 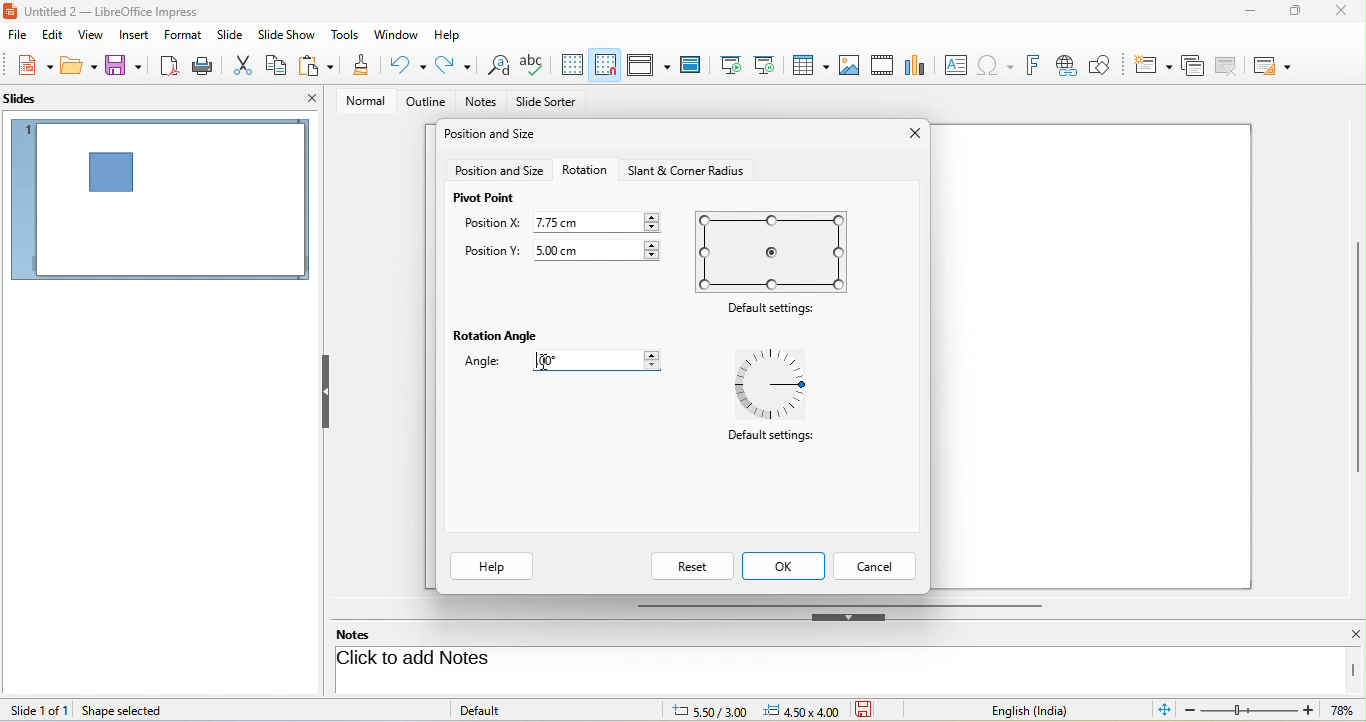 I want to click on copy, so click(x=278, y=63).